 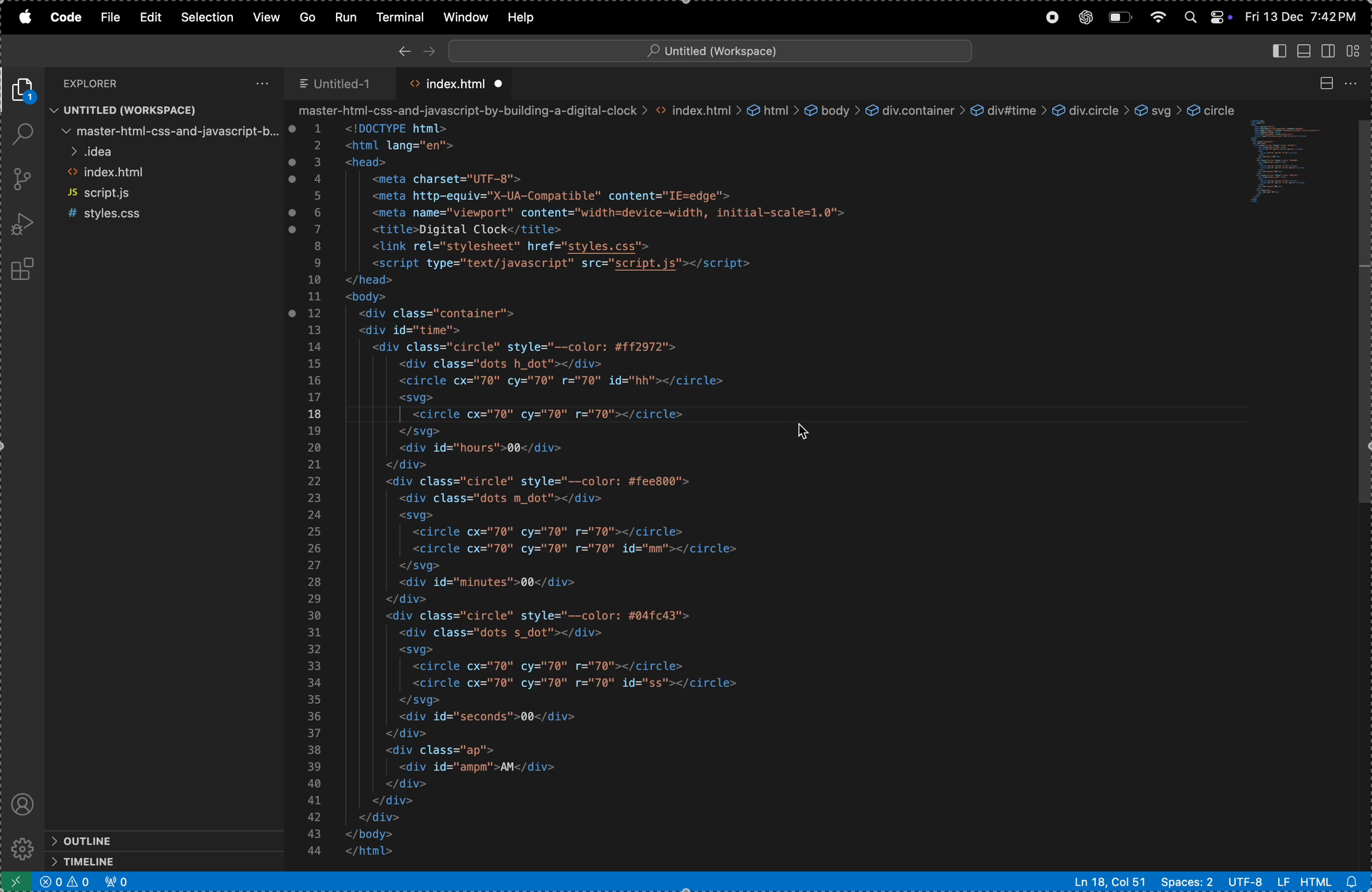 What do you see at coordinates (1292, 165) in the screenshot?
I see `code block` at bounding box center [1292, 165].